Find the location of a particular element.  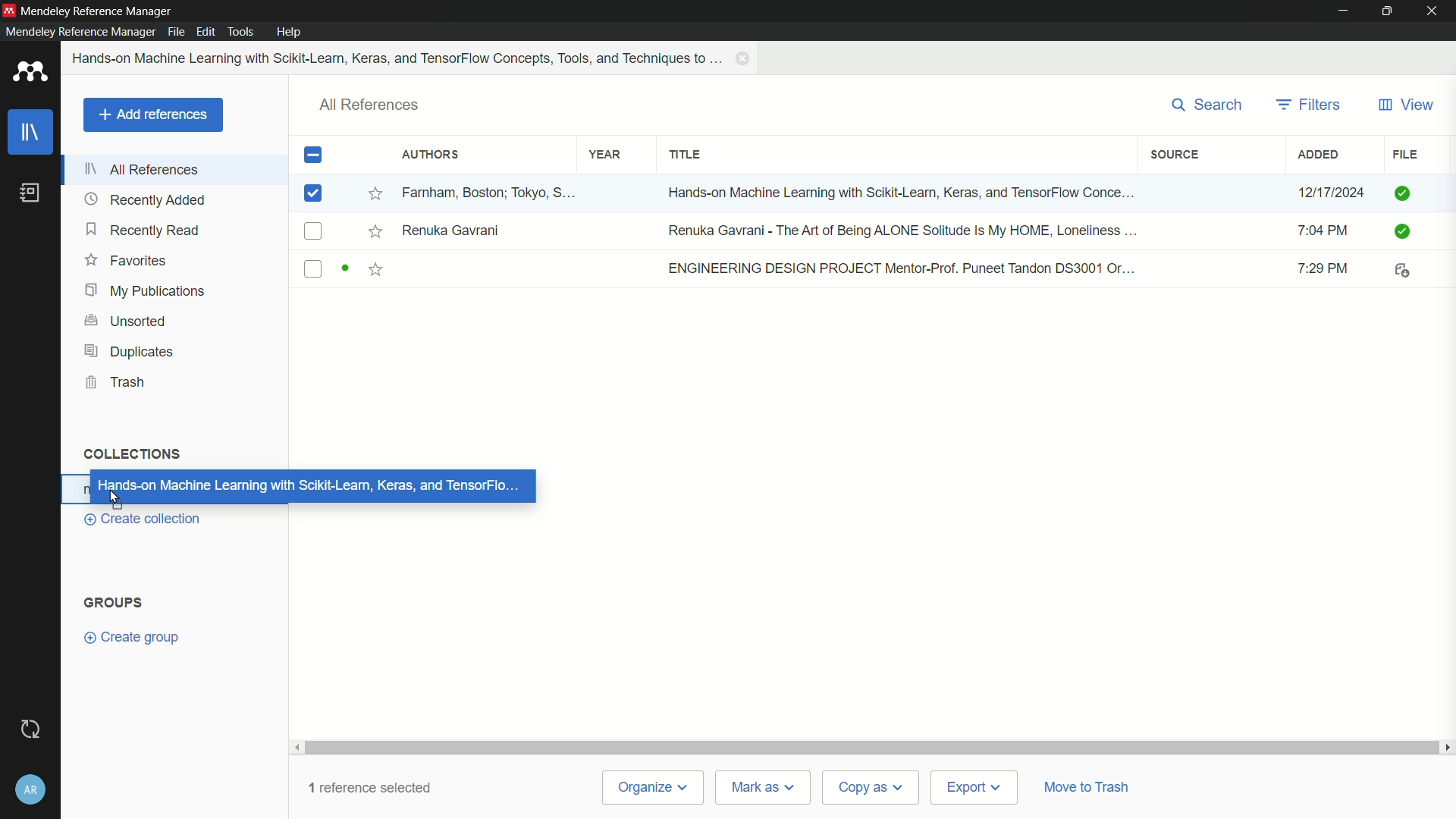

copy as is located at coordinates (868, 787).